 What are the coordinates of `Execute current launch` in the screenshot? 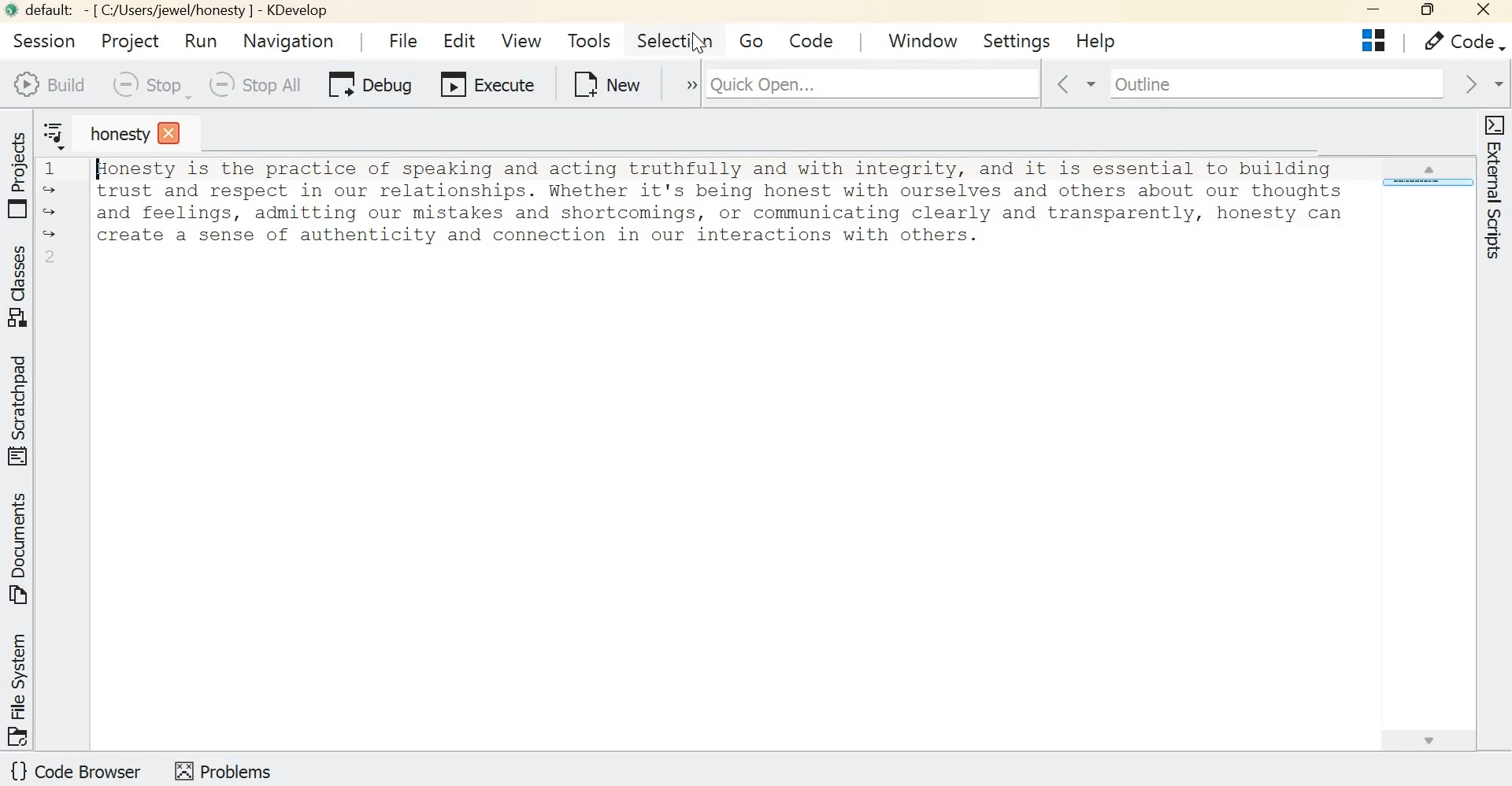 It's located at (487, 87).